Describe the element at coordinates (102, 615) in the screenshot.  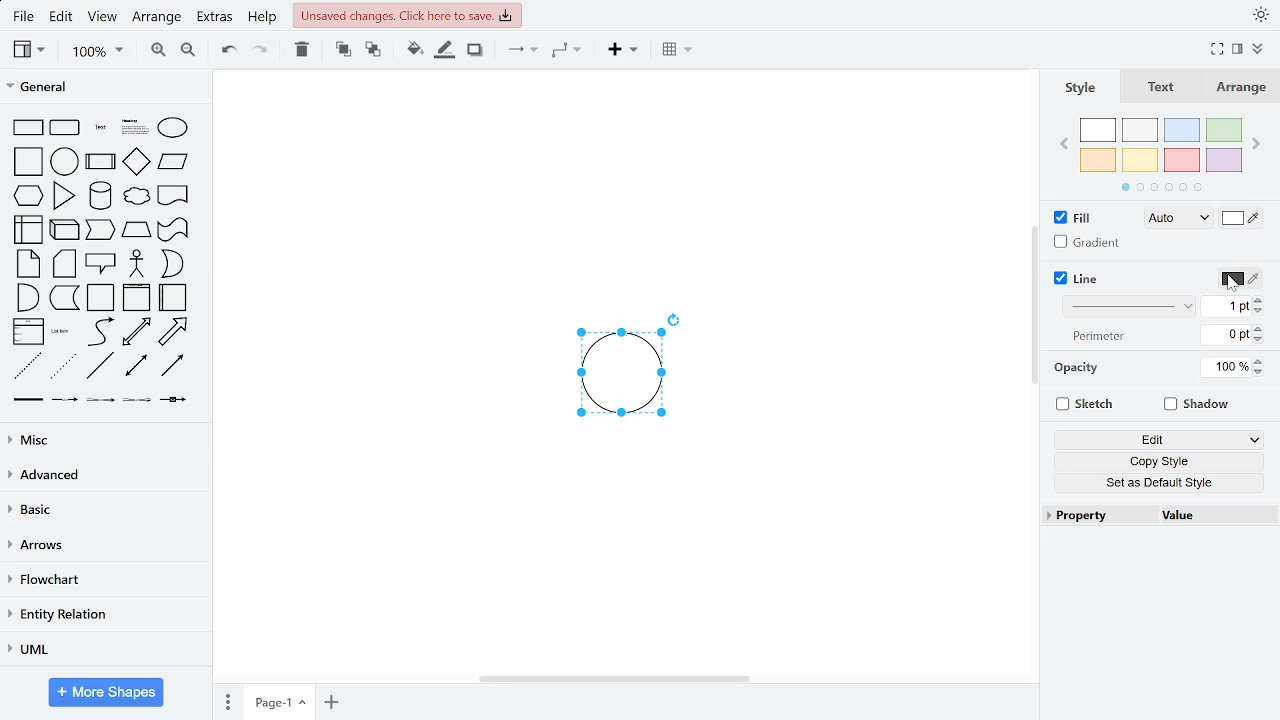
I see `entity relation` at that location.